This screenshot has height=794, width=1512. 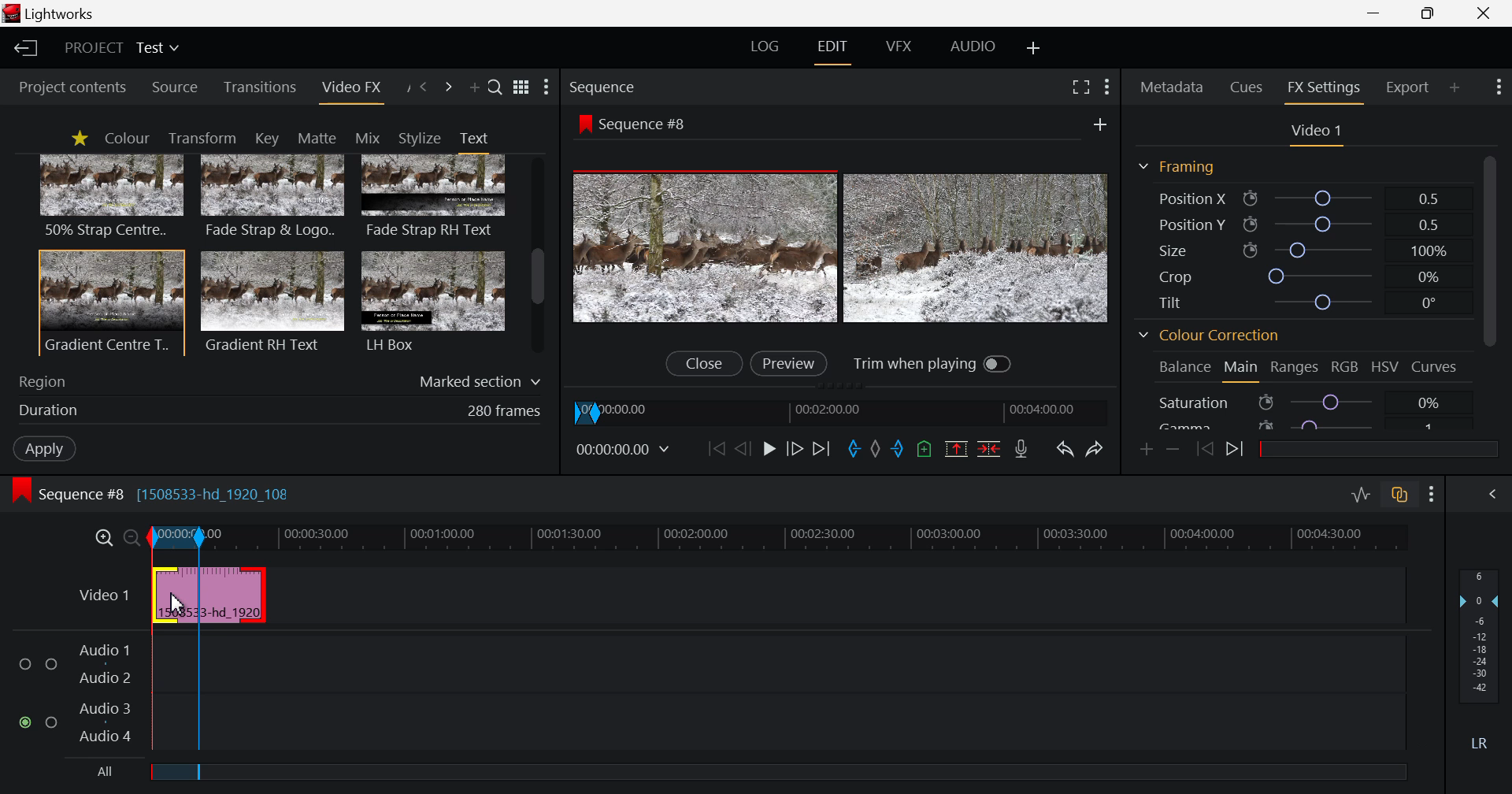 What do you see at coordinates (775, 538) in the screenshot?
I see `Project Timeline` at bounding box center [775, 538].